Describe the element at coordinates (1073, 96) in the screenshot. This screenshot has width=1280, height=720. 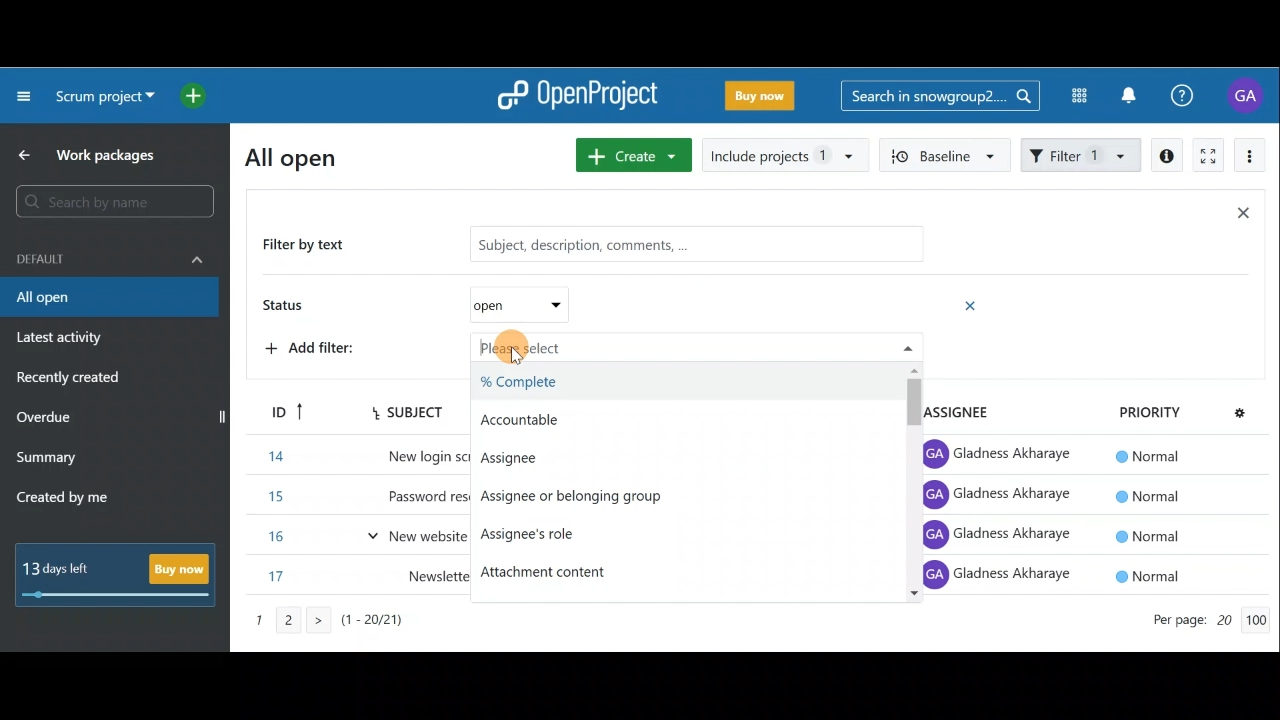
I see `Modules` at that location.